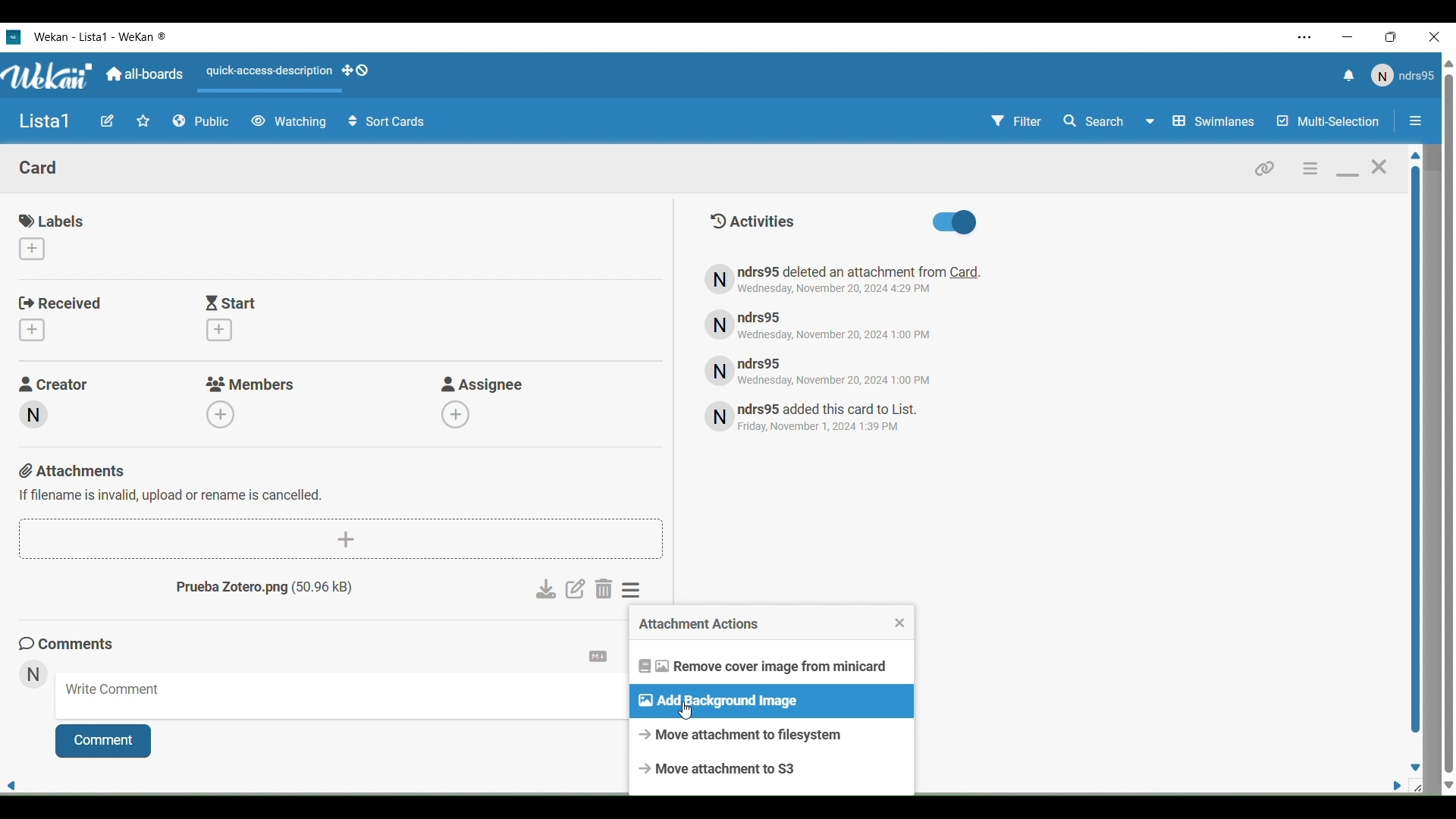 The height and width of the screenshot is (819, 1456). I want to click on Name, so click(45, 122).